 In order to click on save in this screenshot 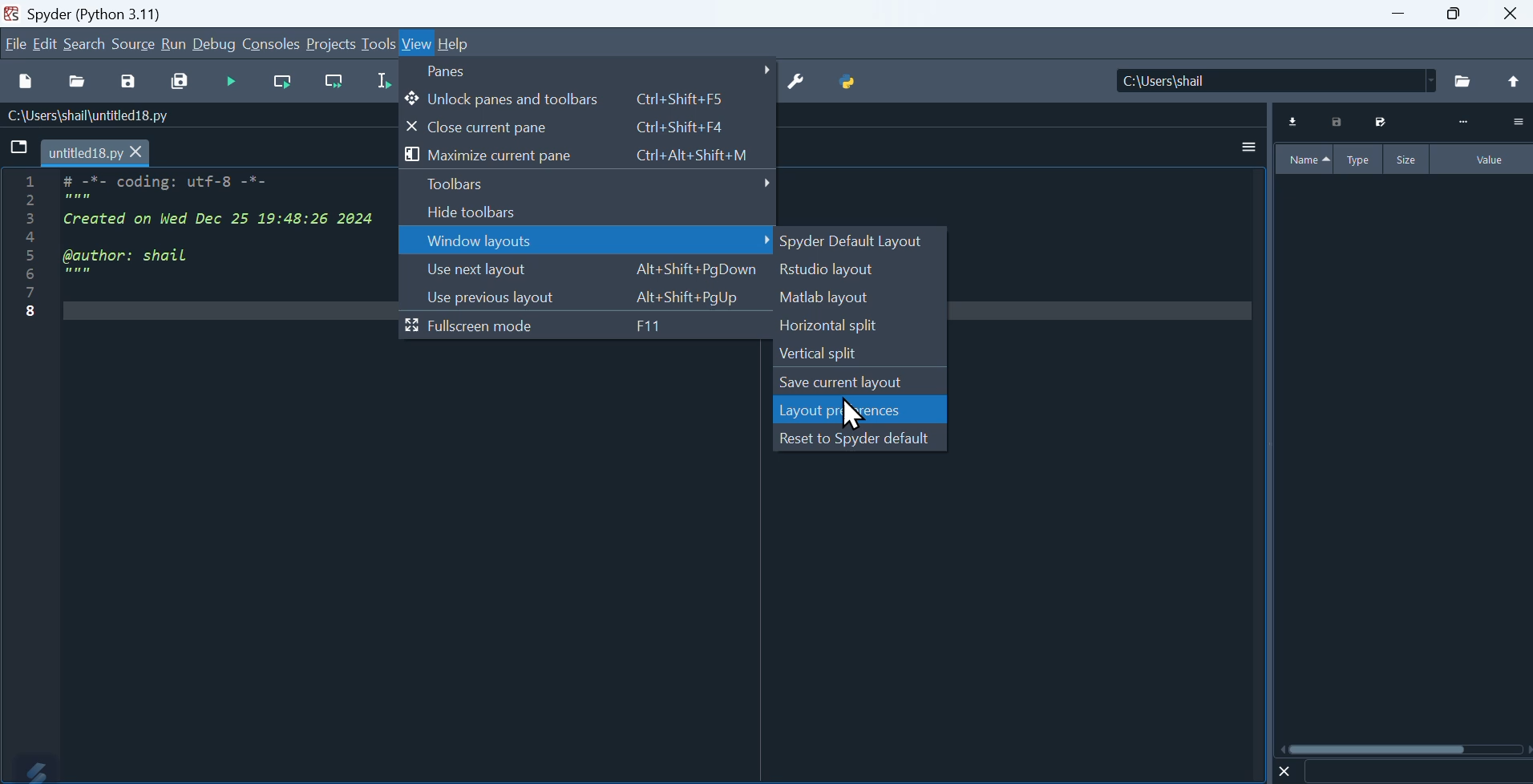, I will do `click(127, 84)`.